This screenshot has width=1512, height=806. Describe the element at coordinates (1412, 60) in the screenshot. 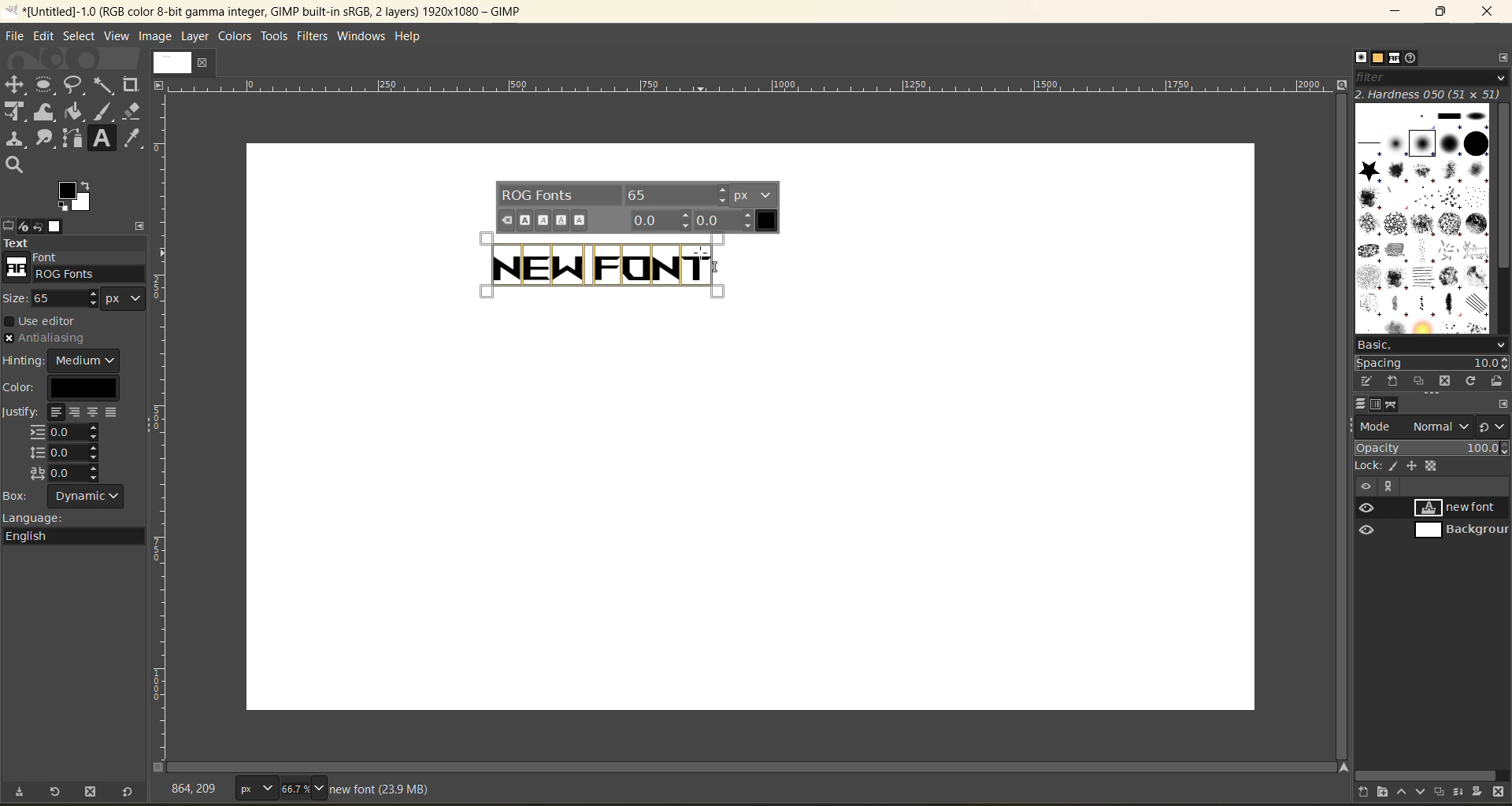

I see `document history` at that location.